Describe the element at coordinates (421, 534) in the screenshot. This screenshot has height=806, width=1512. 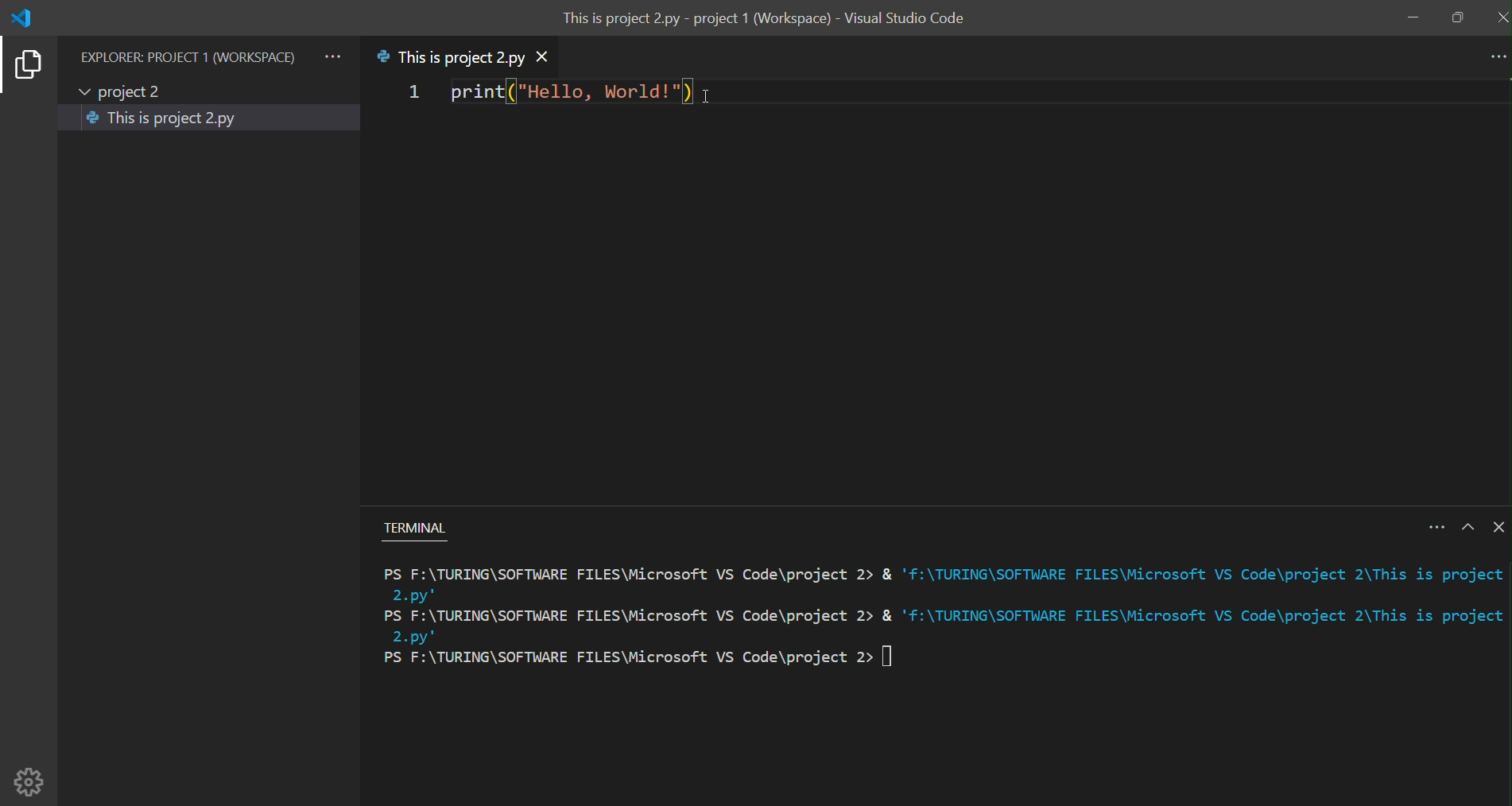
I see `Terminal` at that location.